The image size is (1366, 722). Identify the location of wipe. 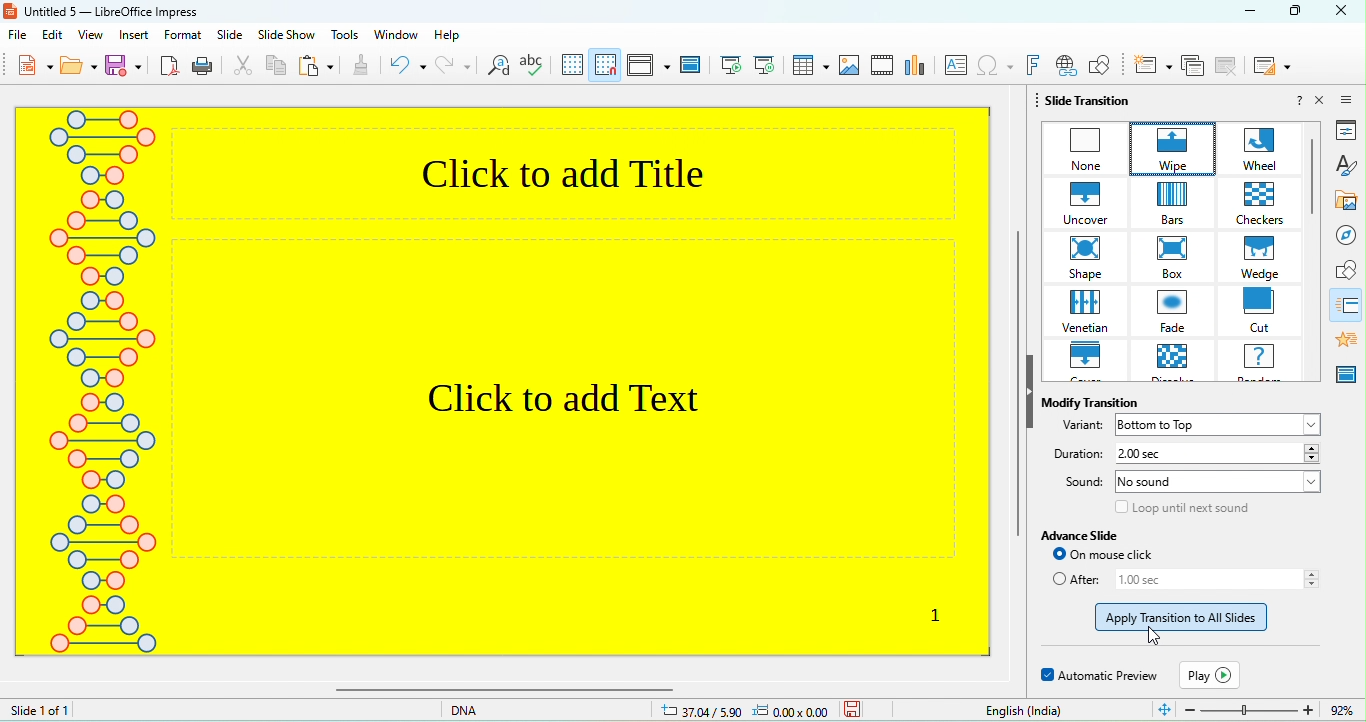
(1166, 146).